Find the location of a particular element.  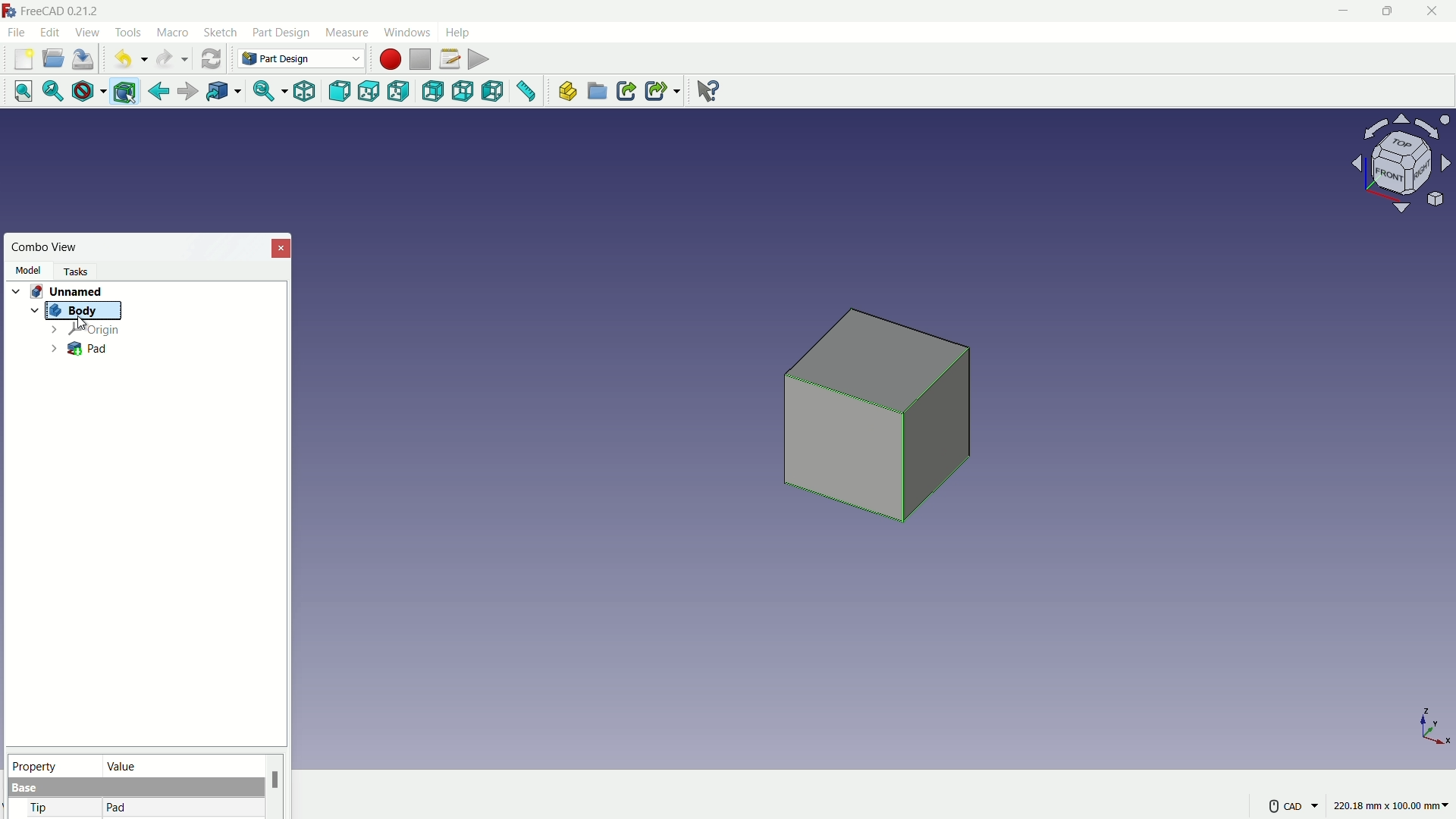

measure is located at coordinates (346, 33).